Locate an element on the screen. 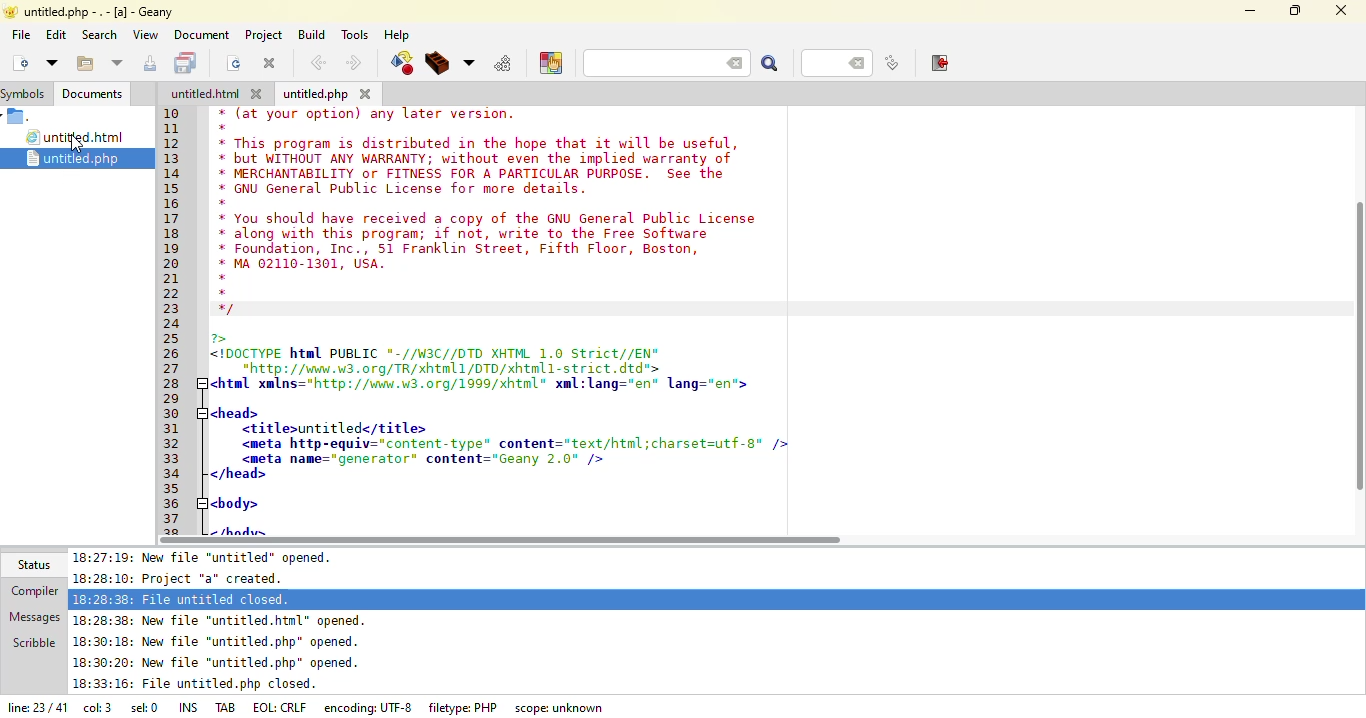 The height and width of the screenshot is (718, 1366). close is located at coordinates (1341, 11).